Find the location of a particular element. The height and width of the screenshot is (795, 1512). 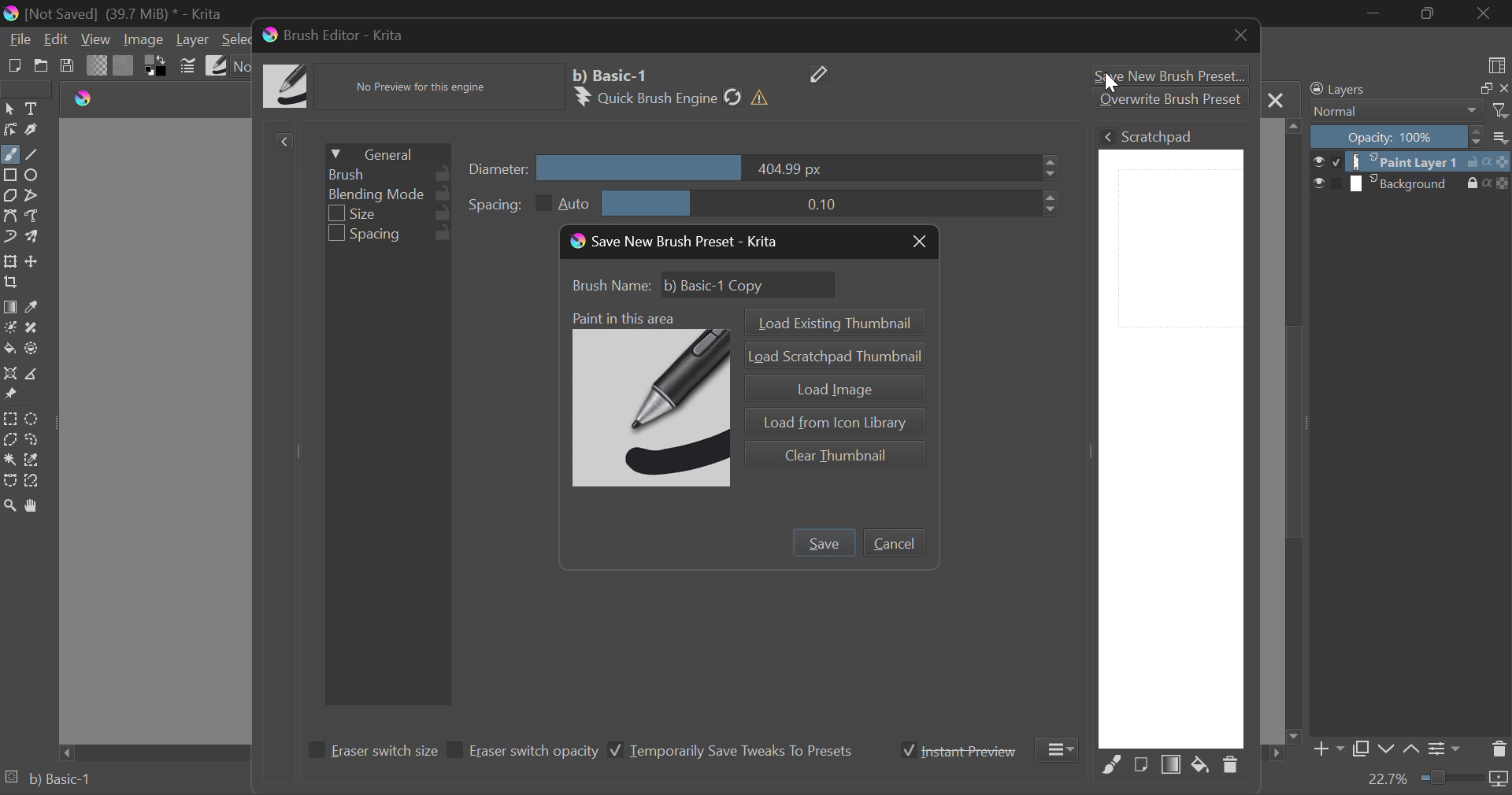

Choose Workspace is located at coordinates (1499, 65).